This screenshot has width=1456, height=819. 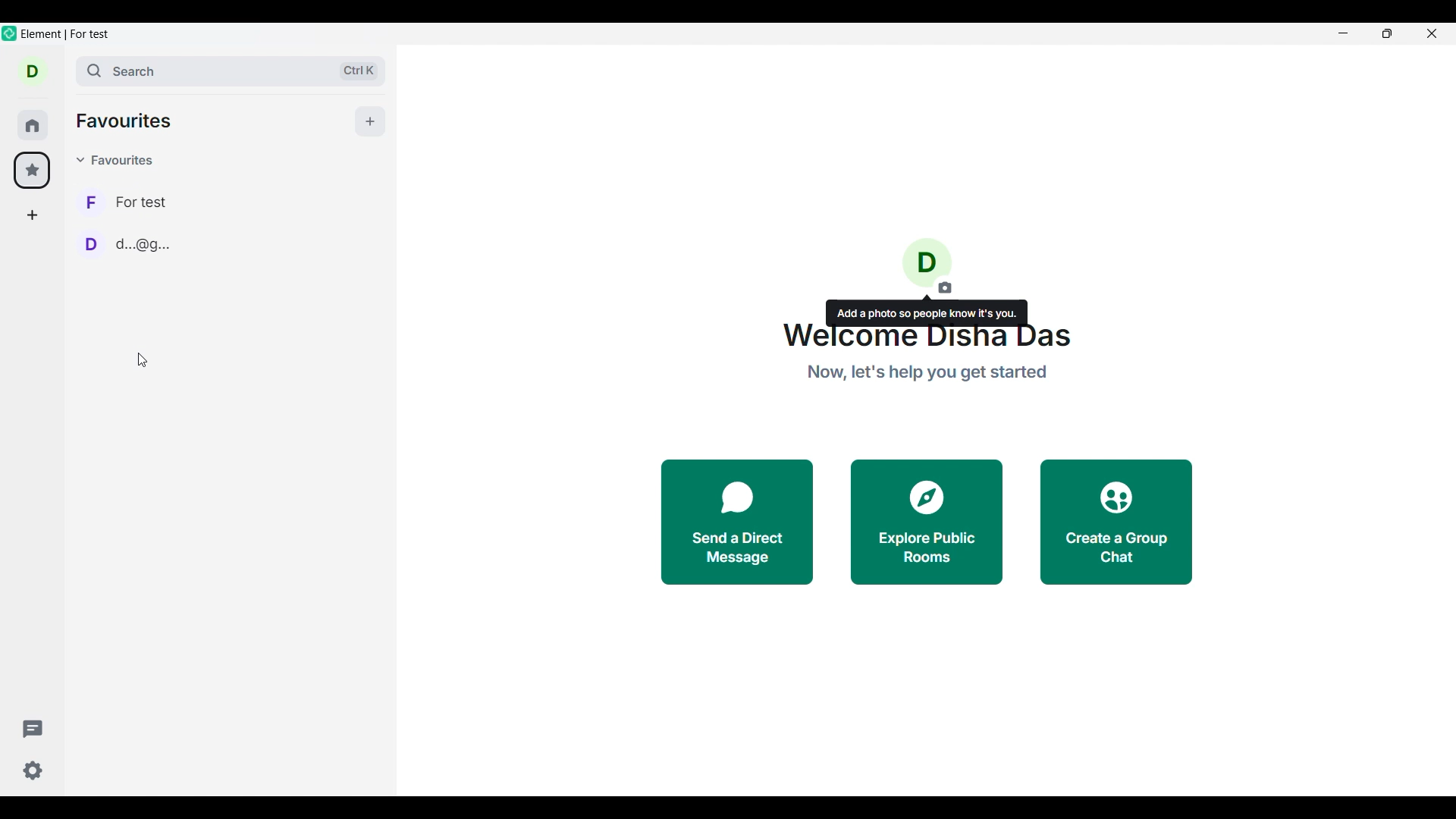 I want to click on d..@g, so click(x=127, y=243).